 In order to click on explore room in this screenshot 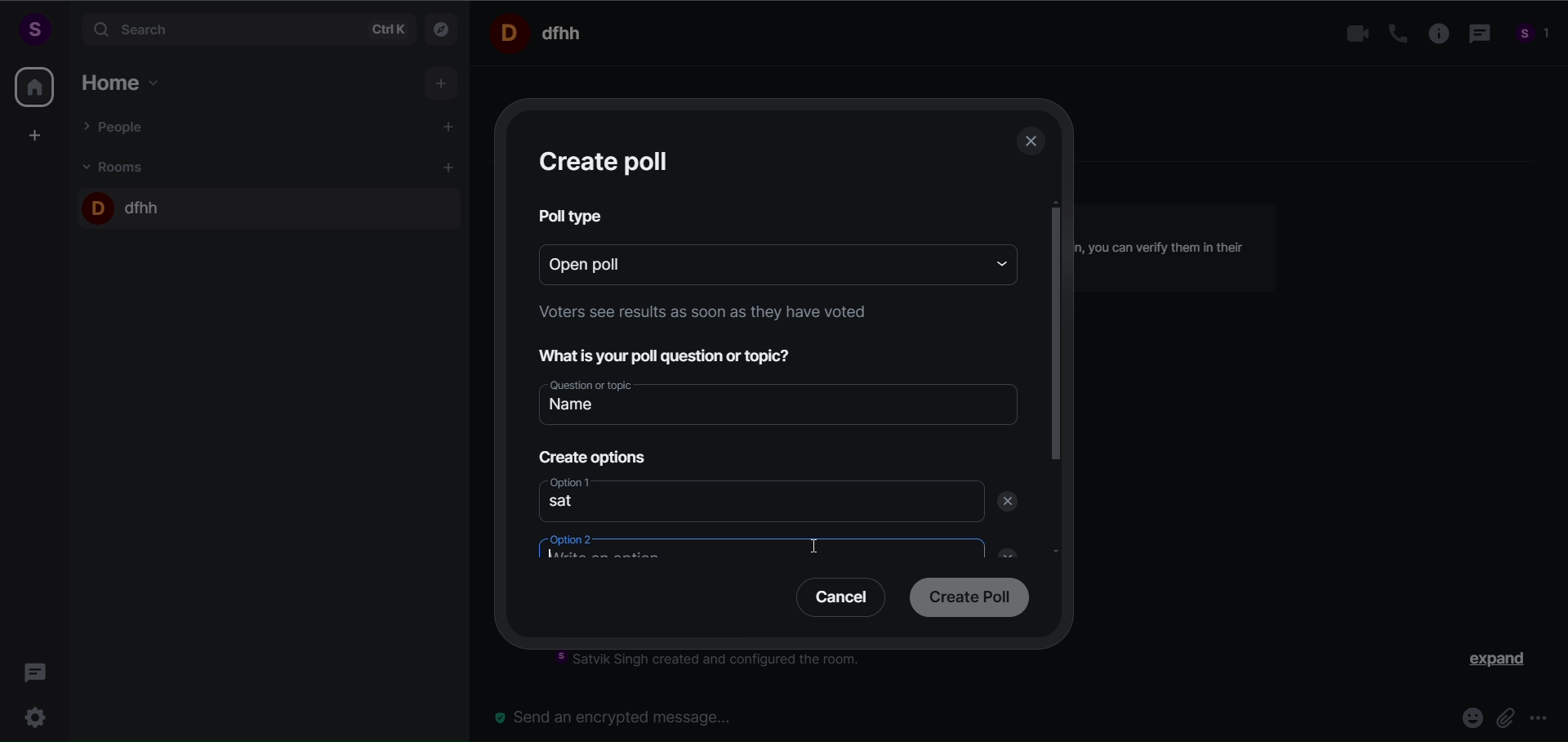, I will do `click(443, 28)`.